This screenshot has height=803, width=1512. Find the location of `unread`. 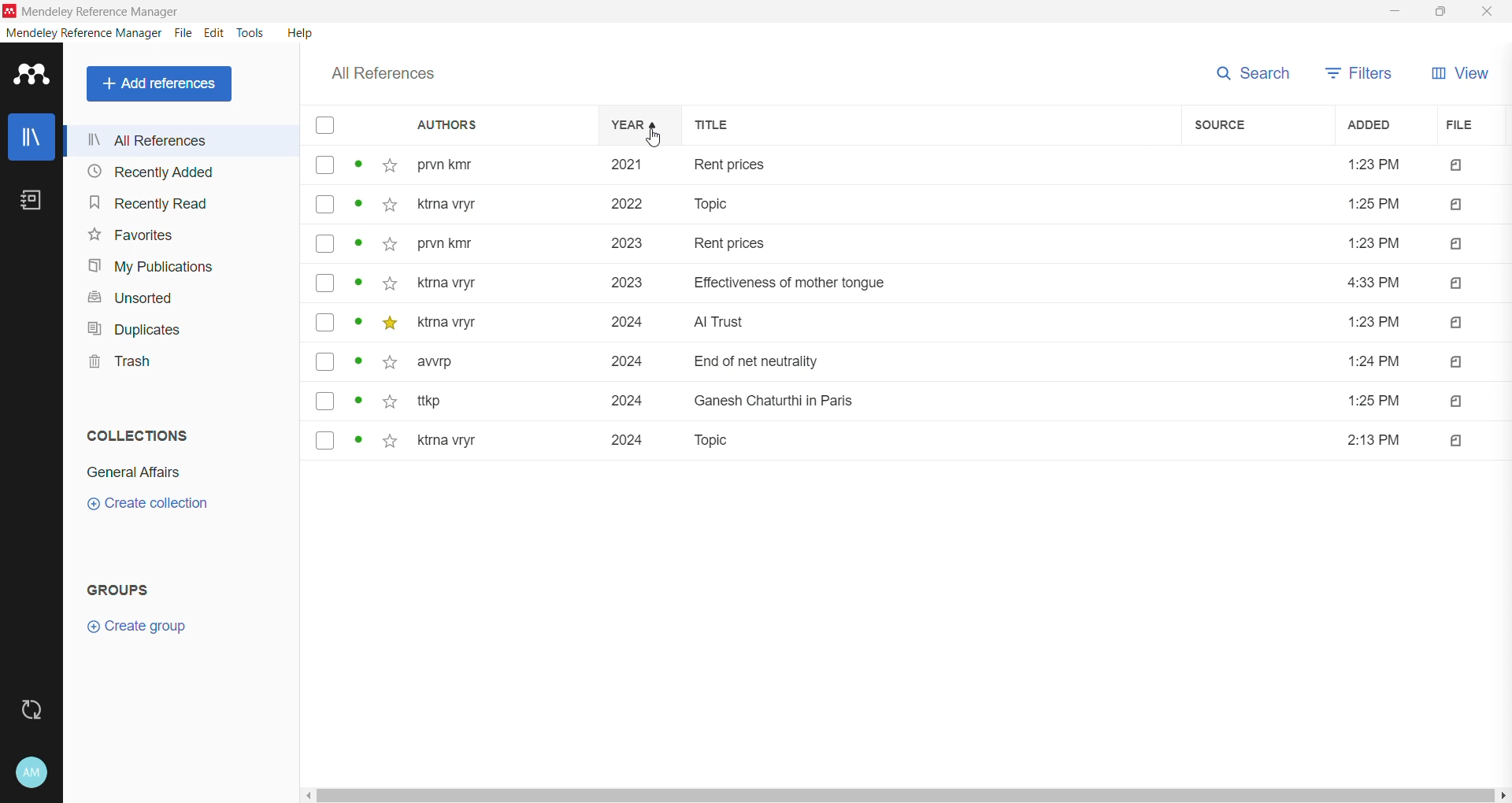

unread is located at coordinates (359, 320).